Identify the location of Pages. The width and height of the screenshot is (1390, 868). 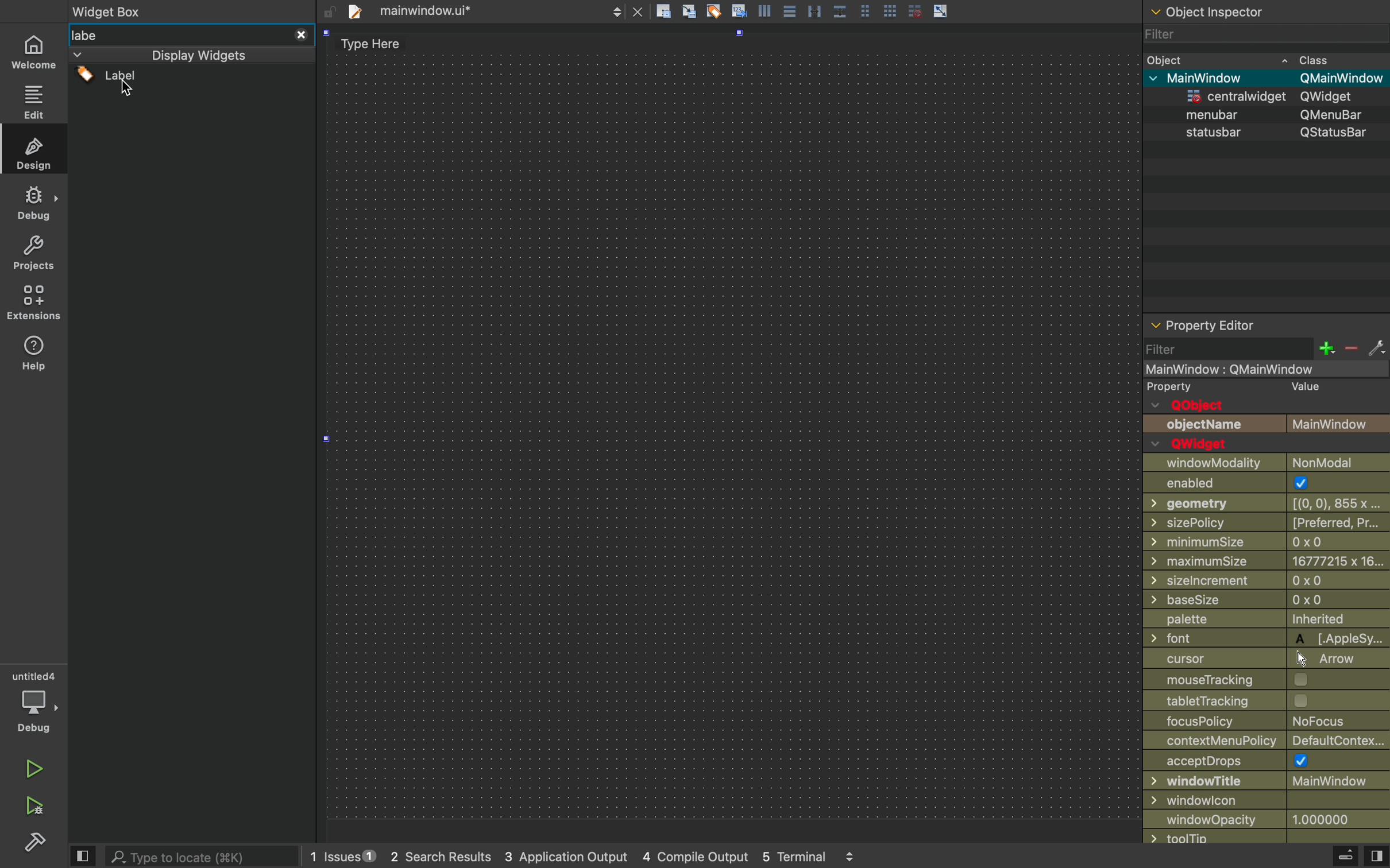
(791, 13).